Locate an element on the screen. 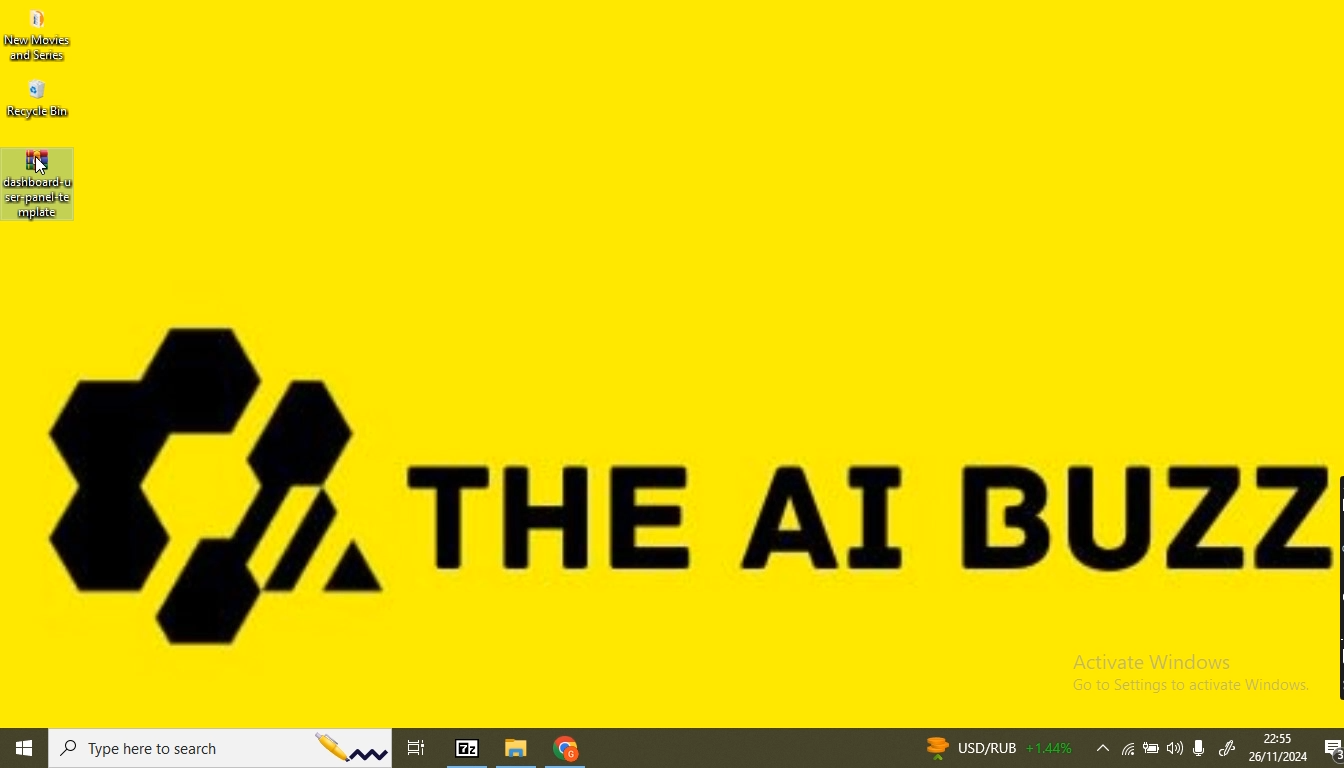 The image size is (1344, 768). Pointer is located at coordinates (43, 163).